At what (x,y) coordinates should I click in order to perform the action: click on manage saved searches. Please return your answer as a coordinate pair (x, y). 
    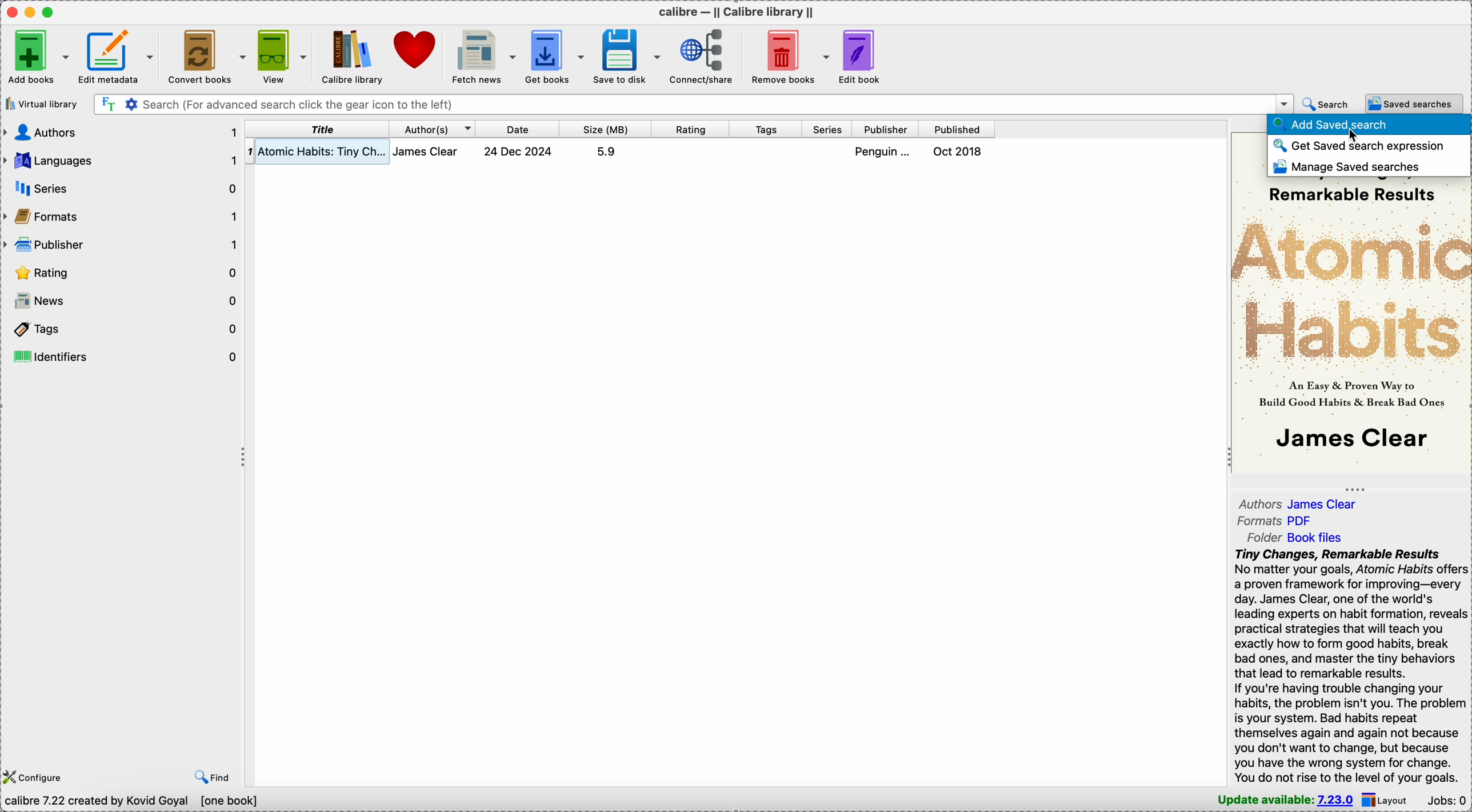
    Looking at the image, I should click on (1347, 166).